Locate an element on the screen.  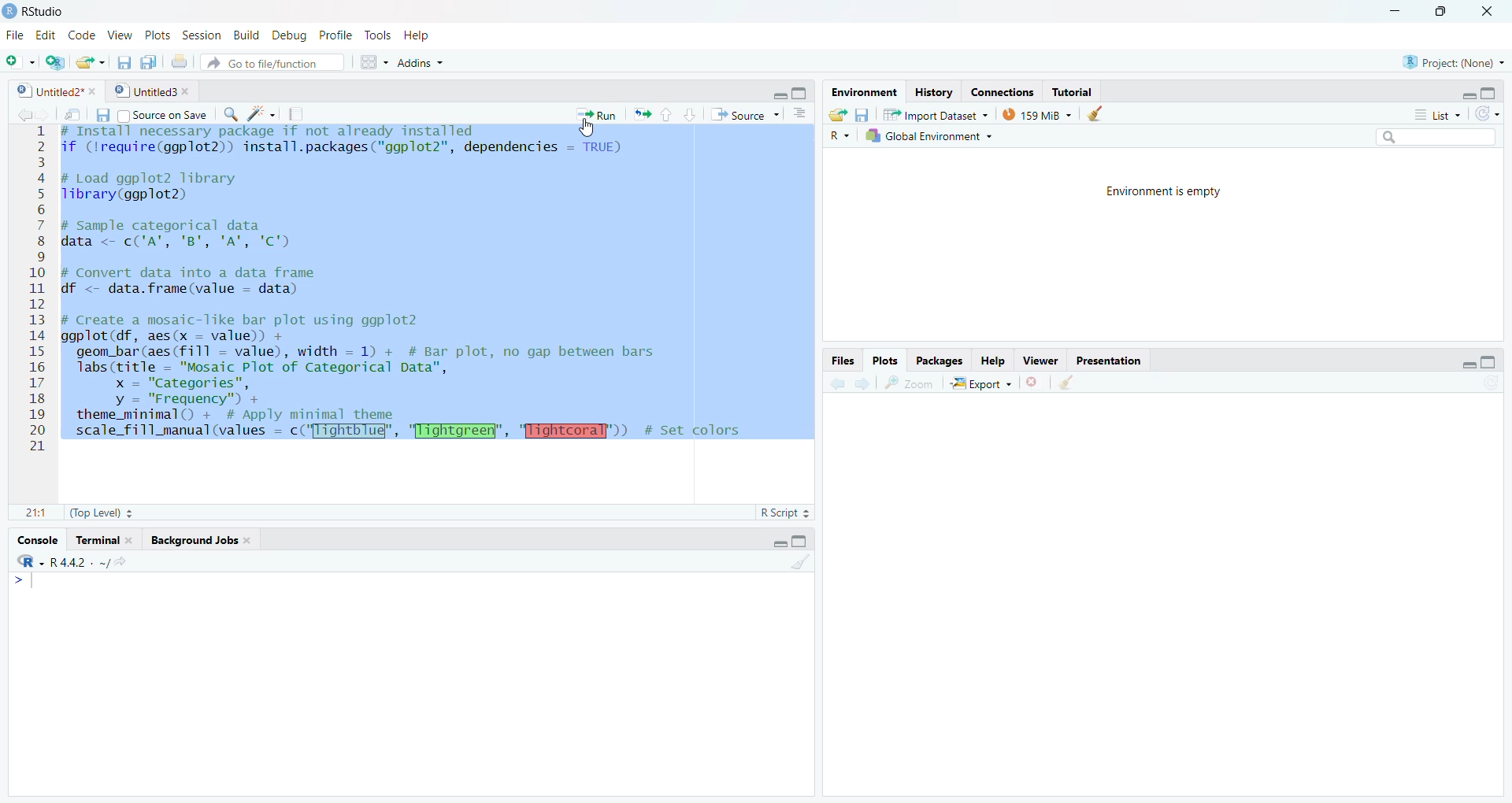
Previous is located at coordinates (21, 115).